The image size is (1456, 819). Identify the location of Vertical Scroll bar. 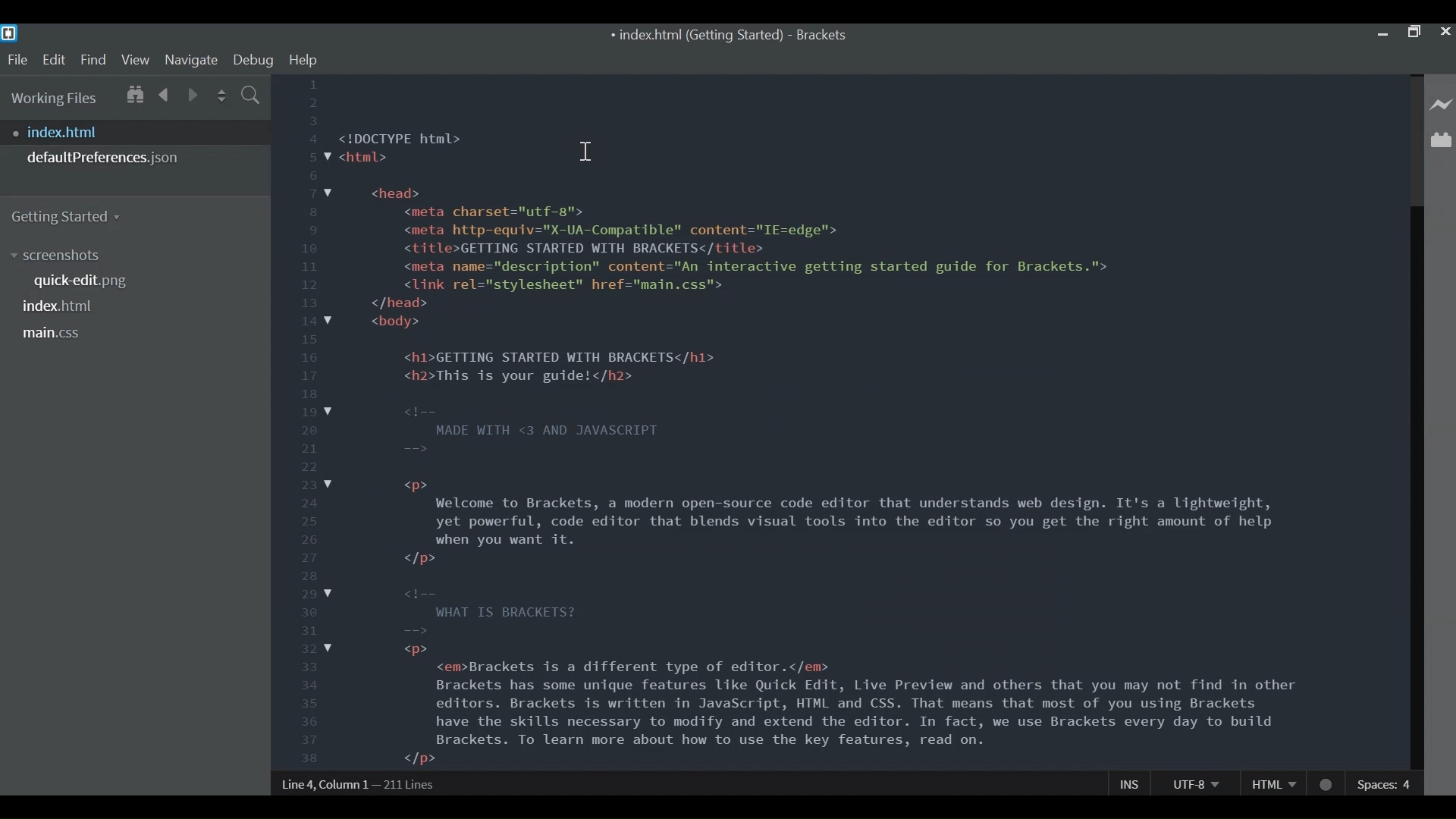
(1414, 488).